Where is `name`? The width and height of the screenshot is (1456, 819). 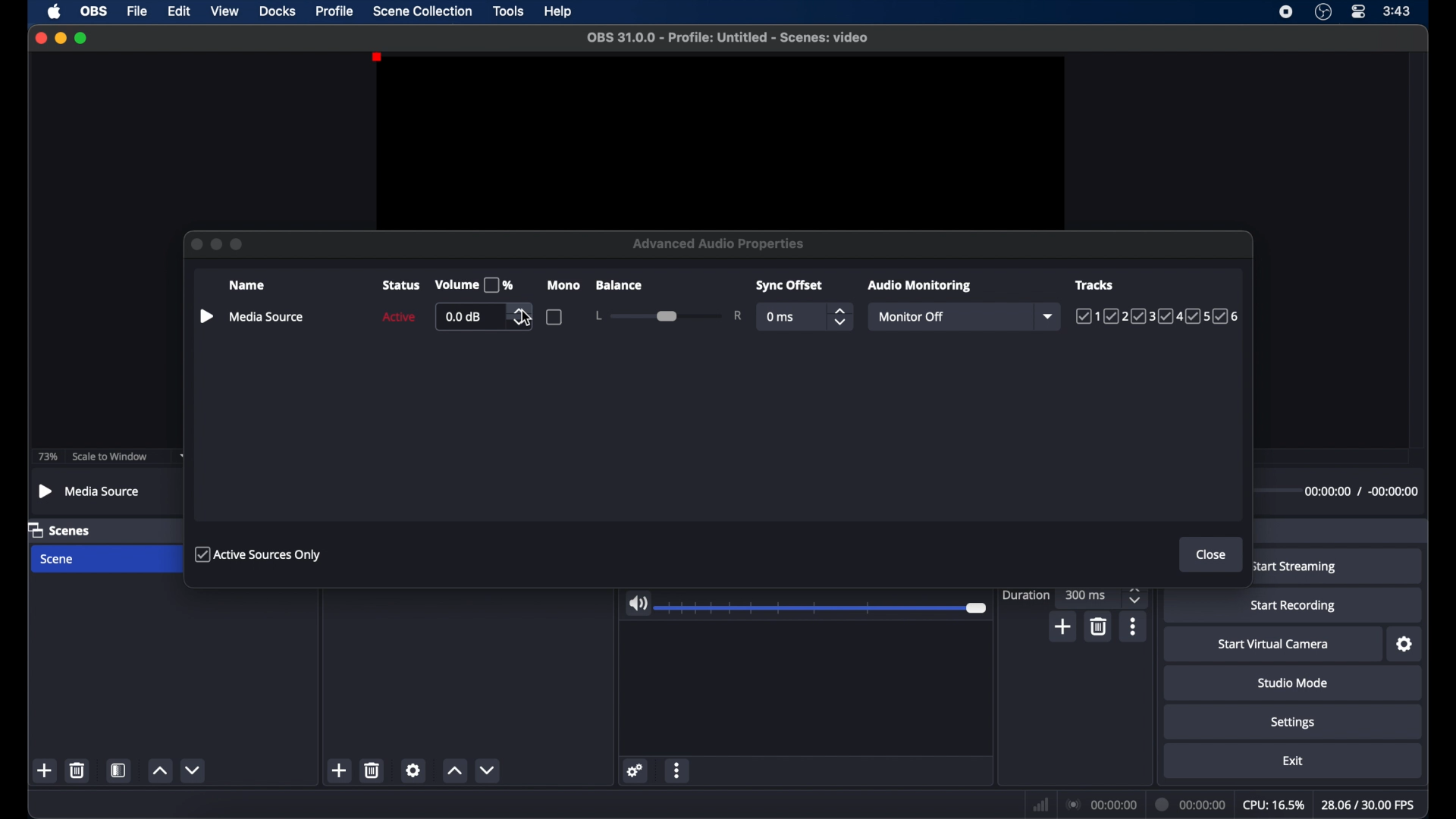 name is located at coordinates (246, 284).